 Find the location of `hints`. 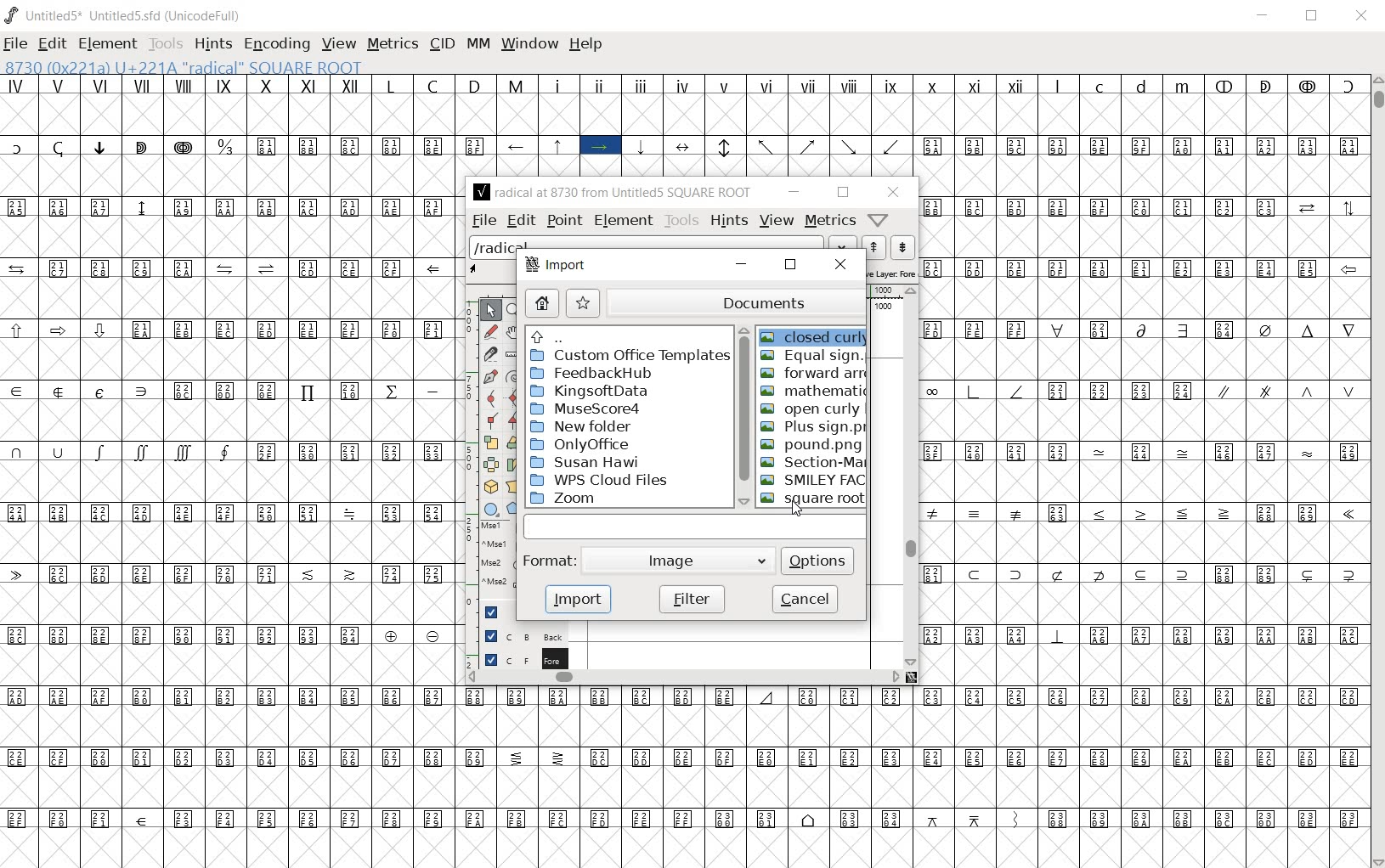

hints is located at coordinates (726, 220).